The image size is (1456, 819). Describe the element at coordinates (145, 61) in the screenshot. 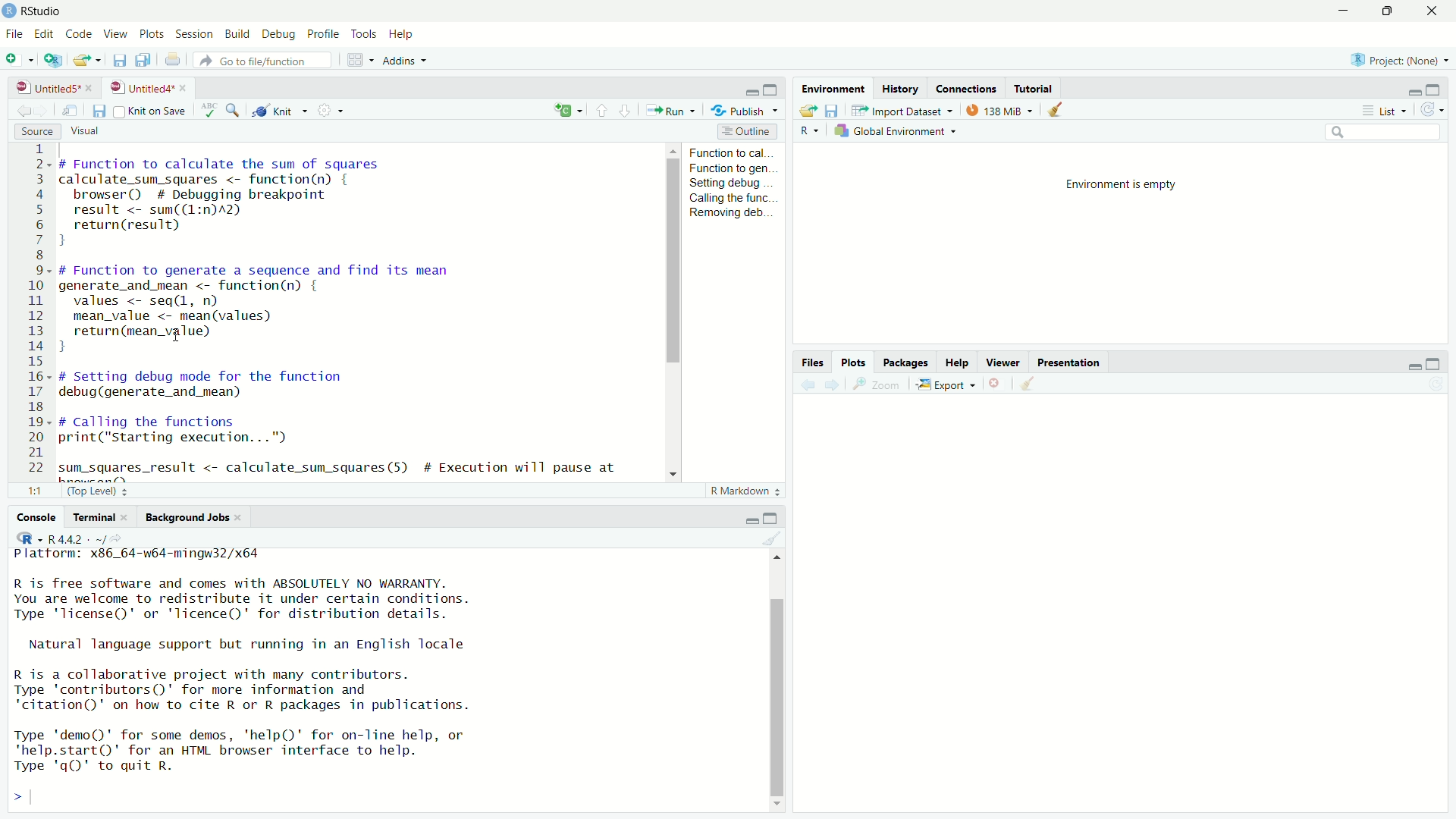

I see `save all open documents` at that location.